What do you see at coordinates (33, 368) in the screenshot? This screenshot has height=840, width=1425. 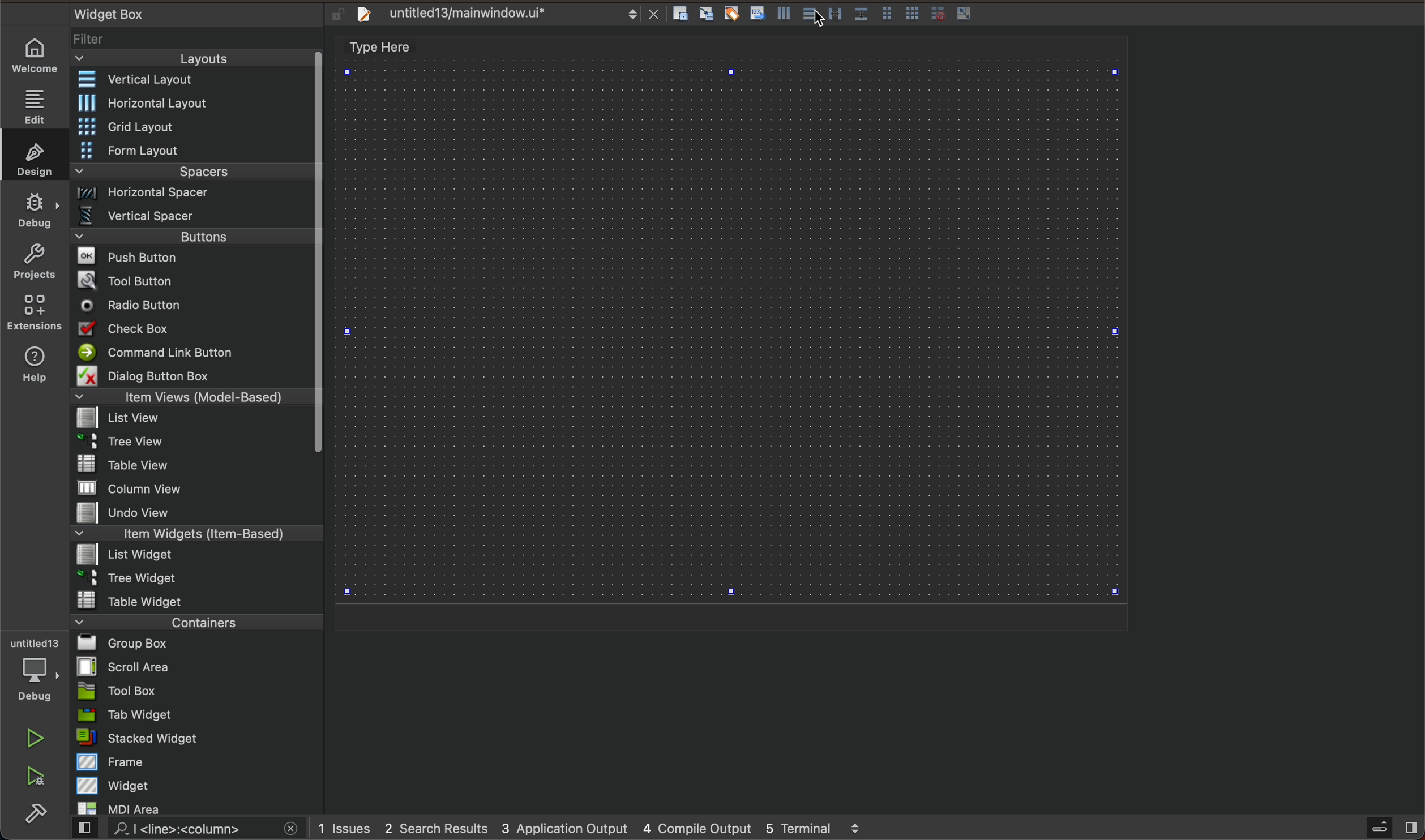 I see `help` at bounding box center [33, 368].